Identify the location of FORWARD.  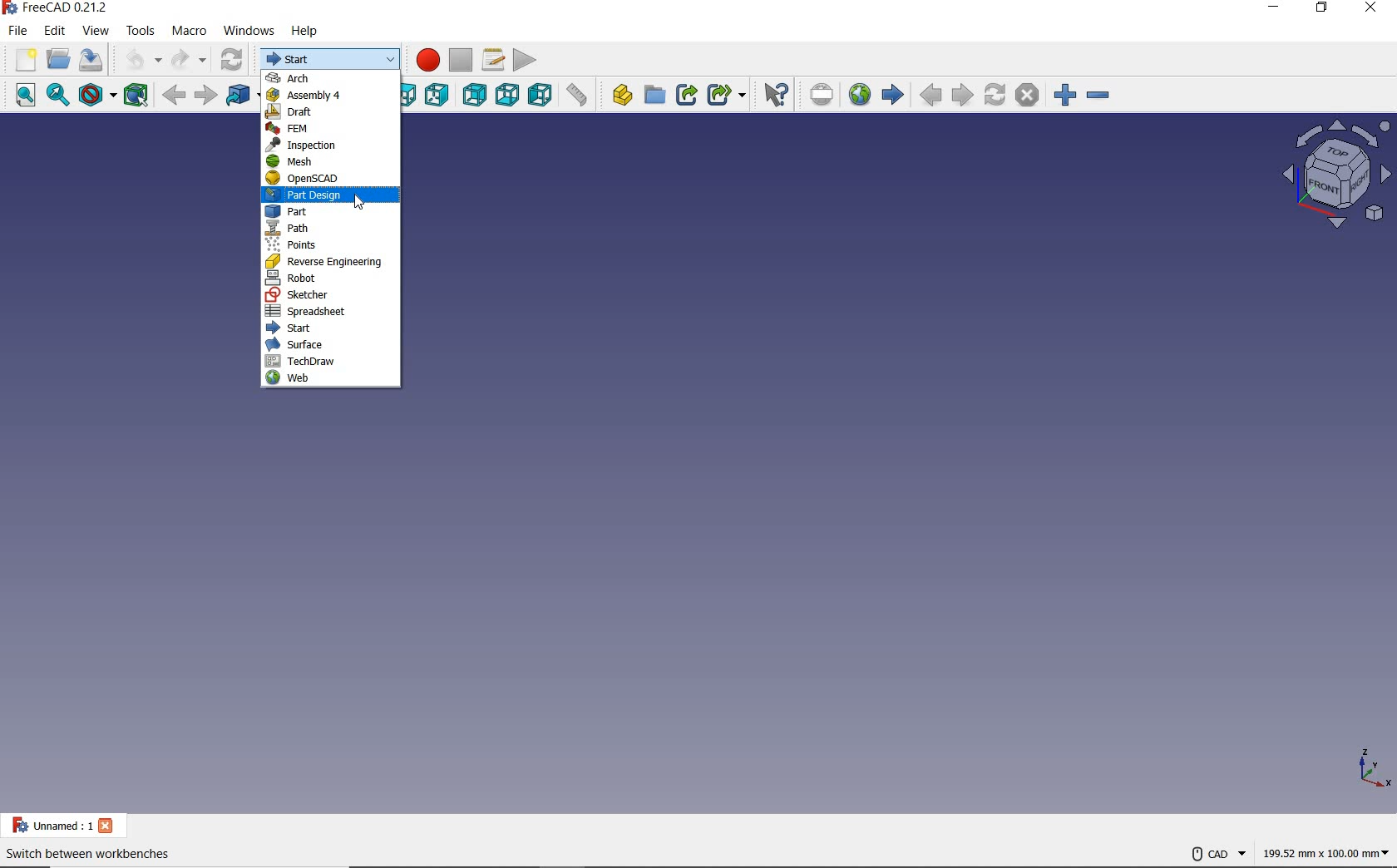
(206, 96).